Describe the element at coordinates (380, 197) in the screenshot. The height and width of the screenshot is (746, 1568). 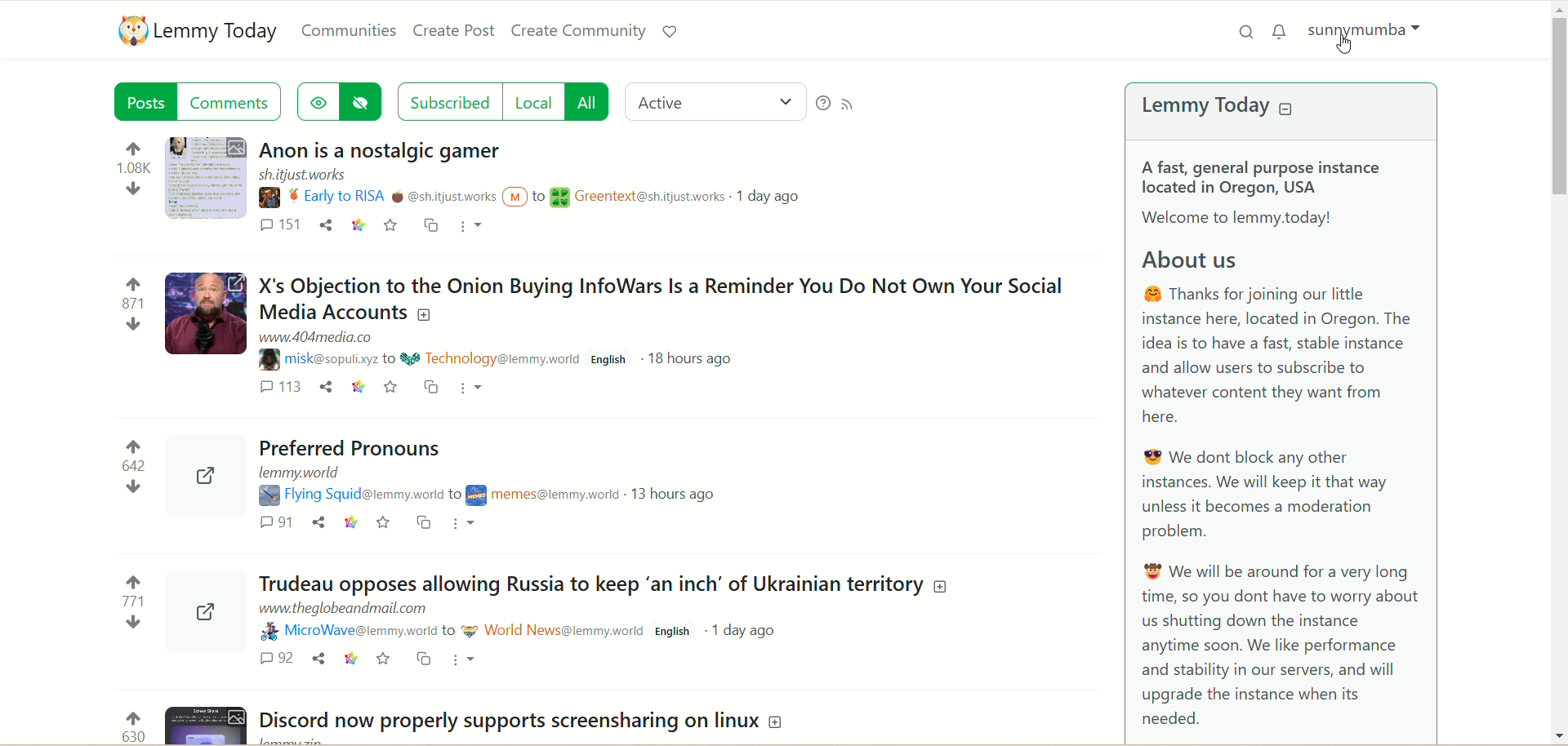
I see `Username` at that location.